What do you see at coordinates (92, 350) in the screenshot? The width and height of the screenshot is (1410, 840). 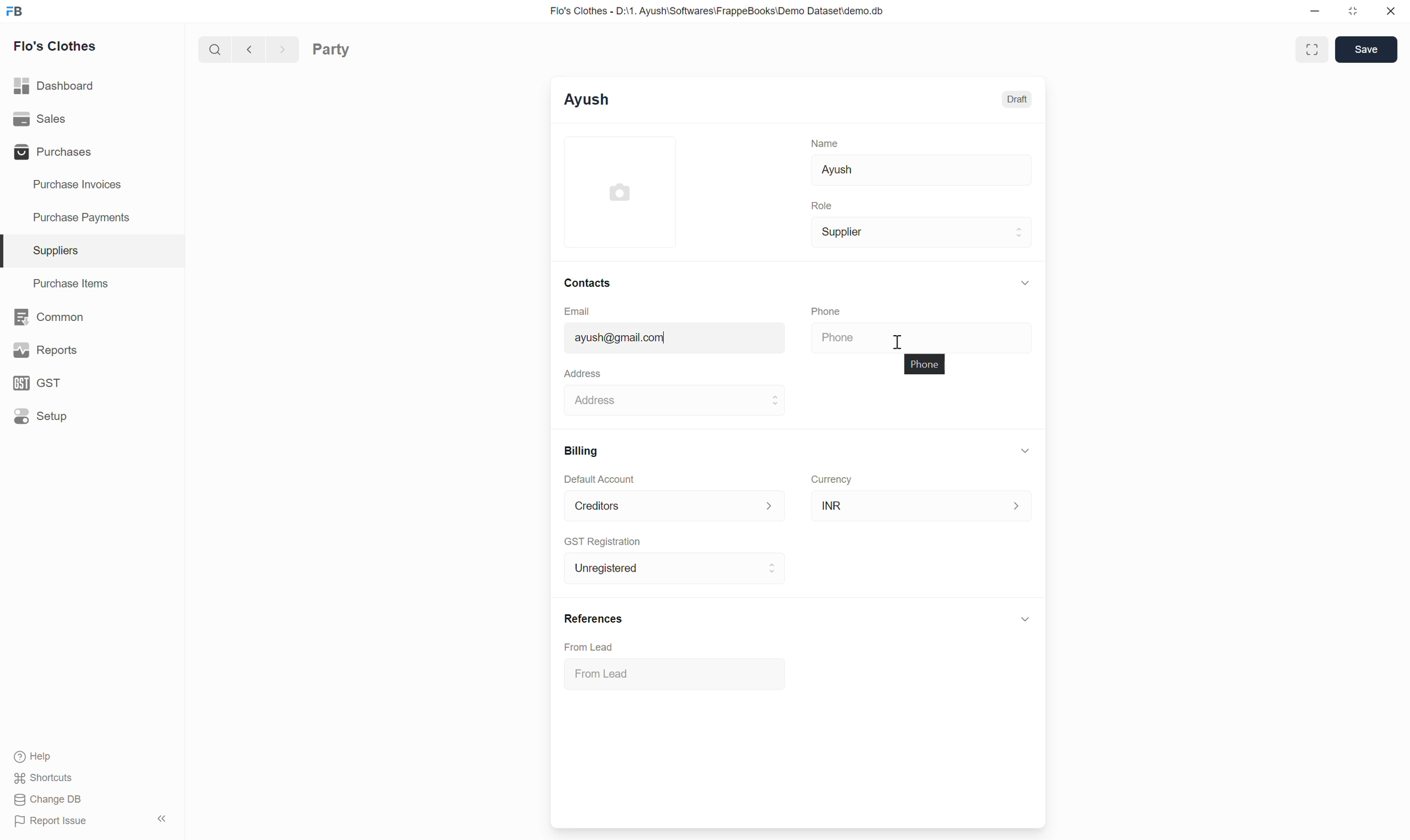 I see `Reports` at bounding box center [92, 350].